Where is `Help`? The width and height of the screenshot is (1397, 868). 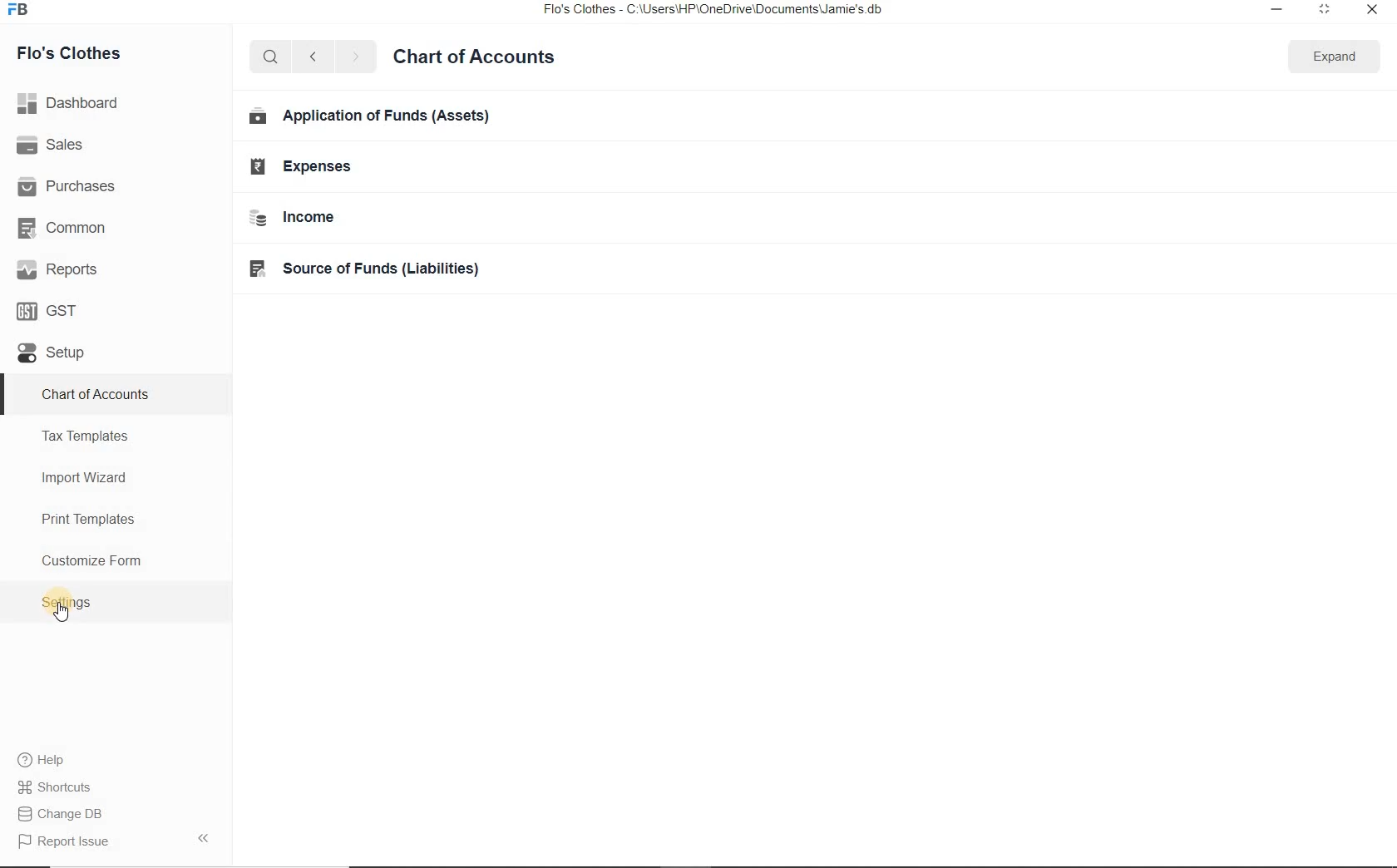
Help is located at coordinates (47, 760).